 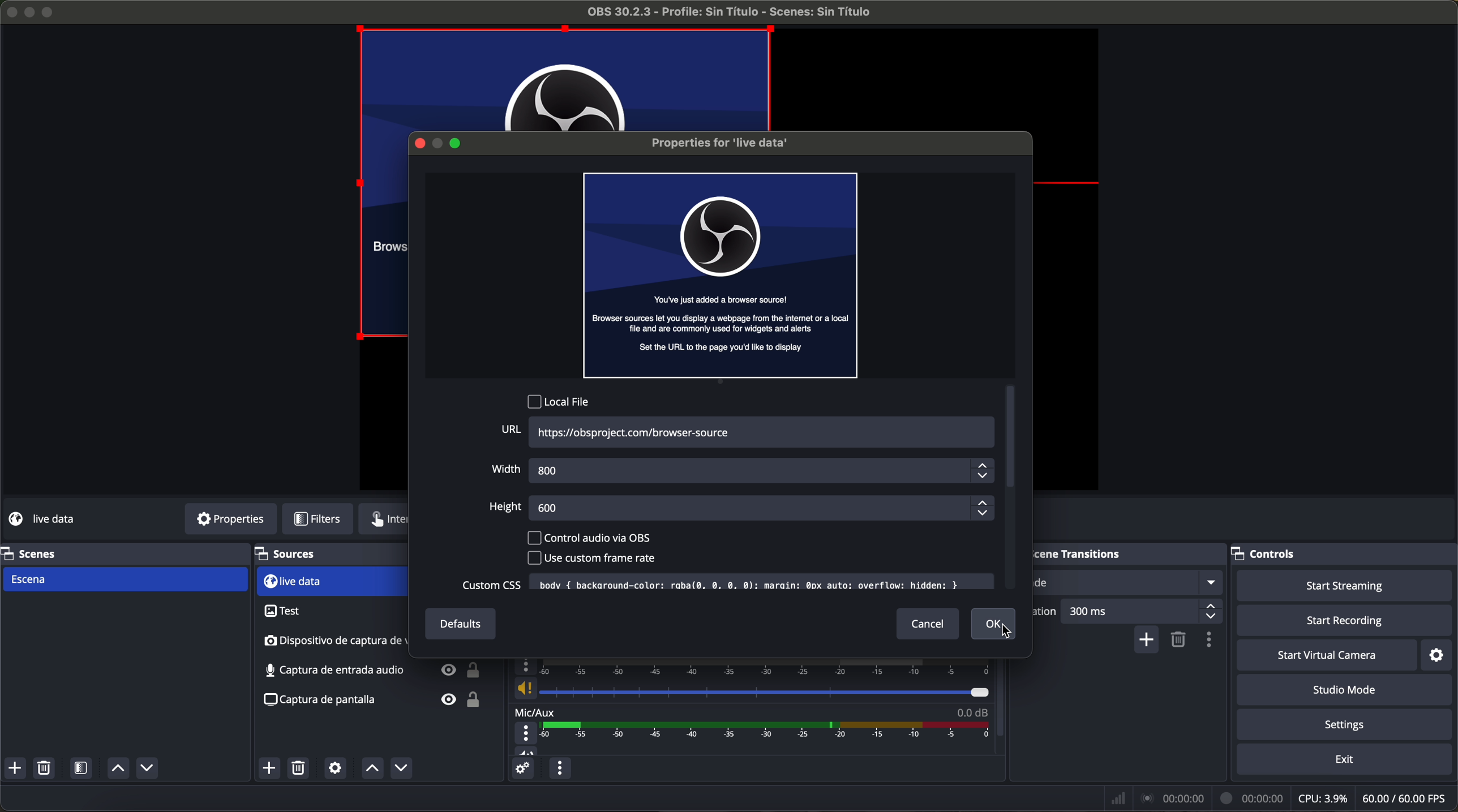 I want to click on more options, so click(x=525, y=734).